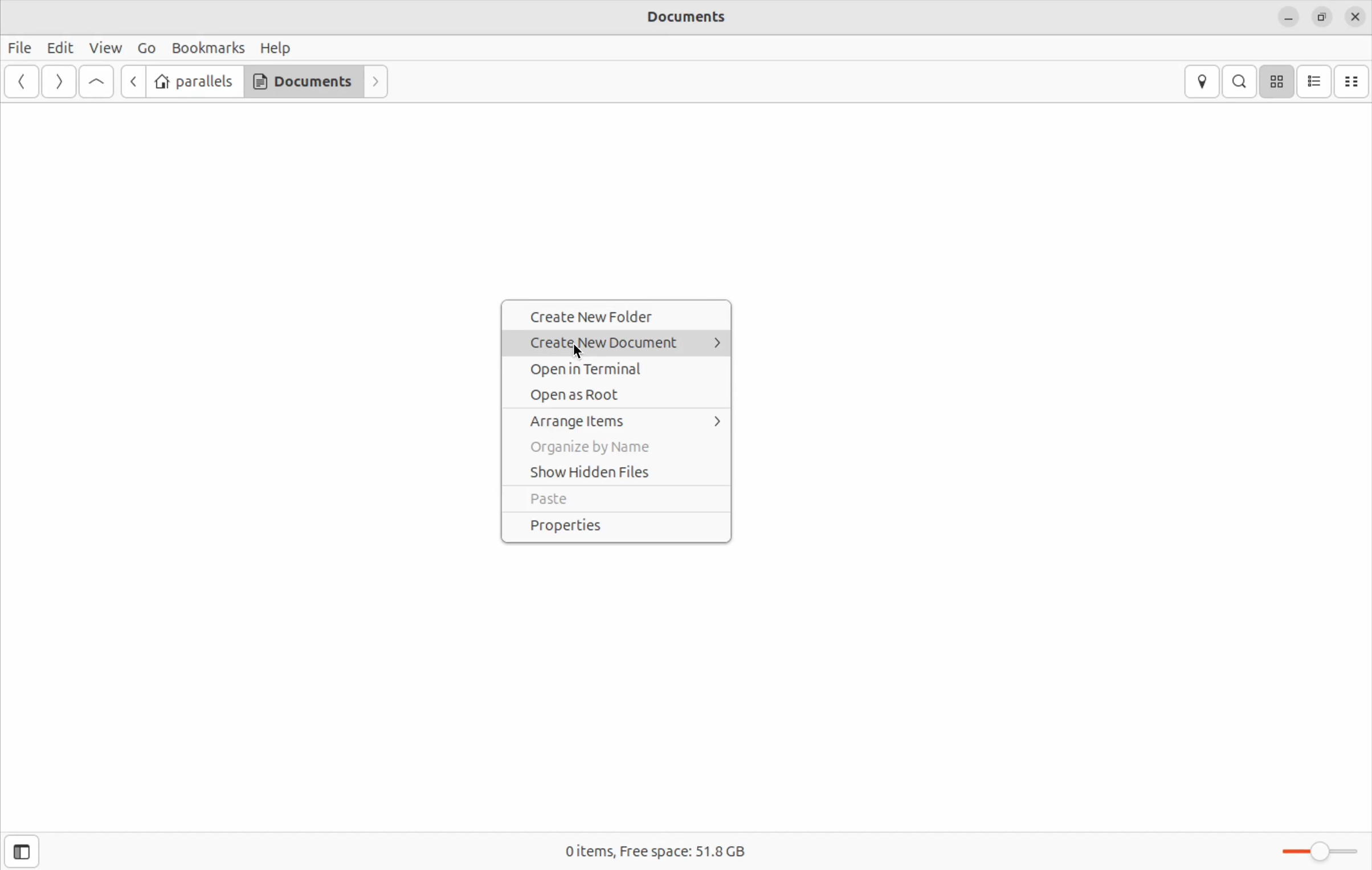 The width and height of the screenshot is (1372, 870). I want to click on cursor, so click(581, 352).